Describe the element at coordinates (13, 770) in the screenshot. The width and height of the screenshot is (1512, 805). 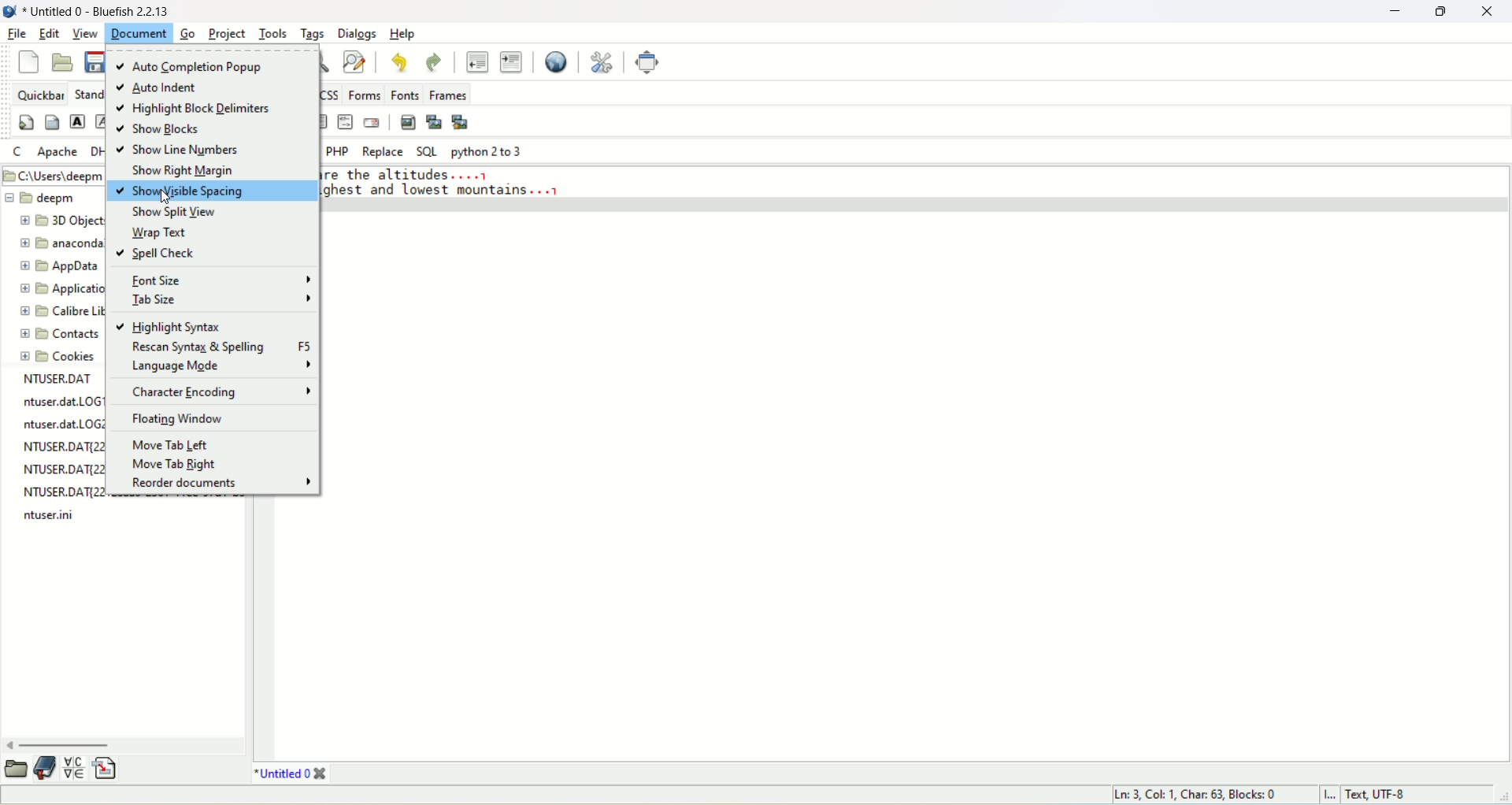
I see `open` at that location.